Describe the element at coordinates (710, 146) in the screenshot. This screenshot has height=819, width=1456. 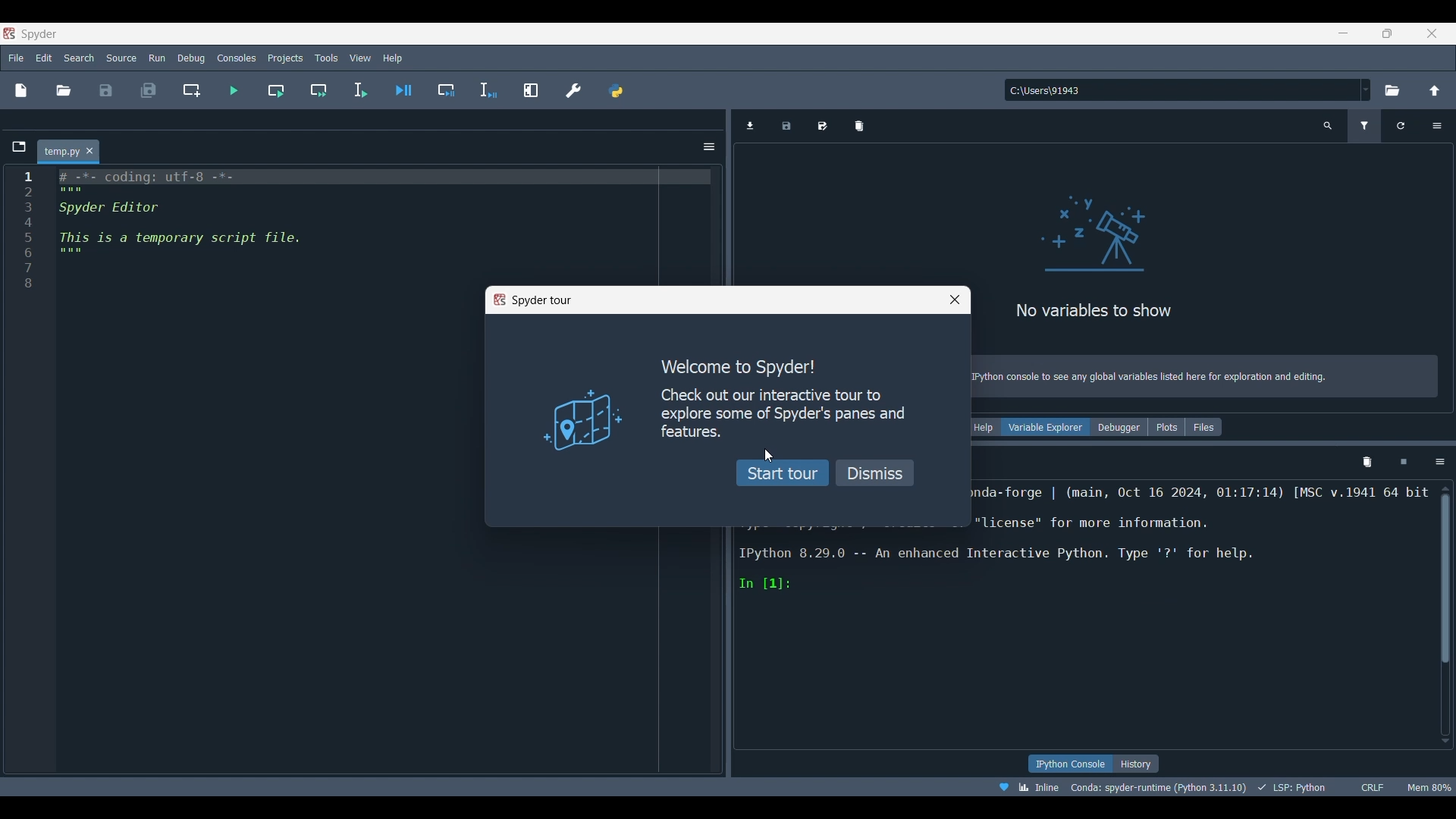
I see `menu` at that location.